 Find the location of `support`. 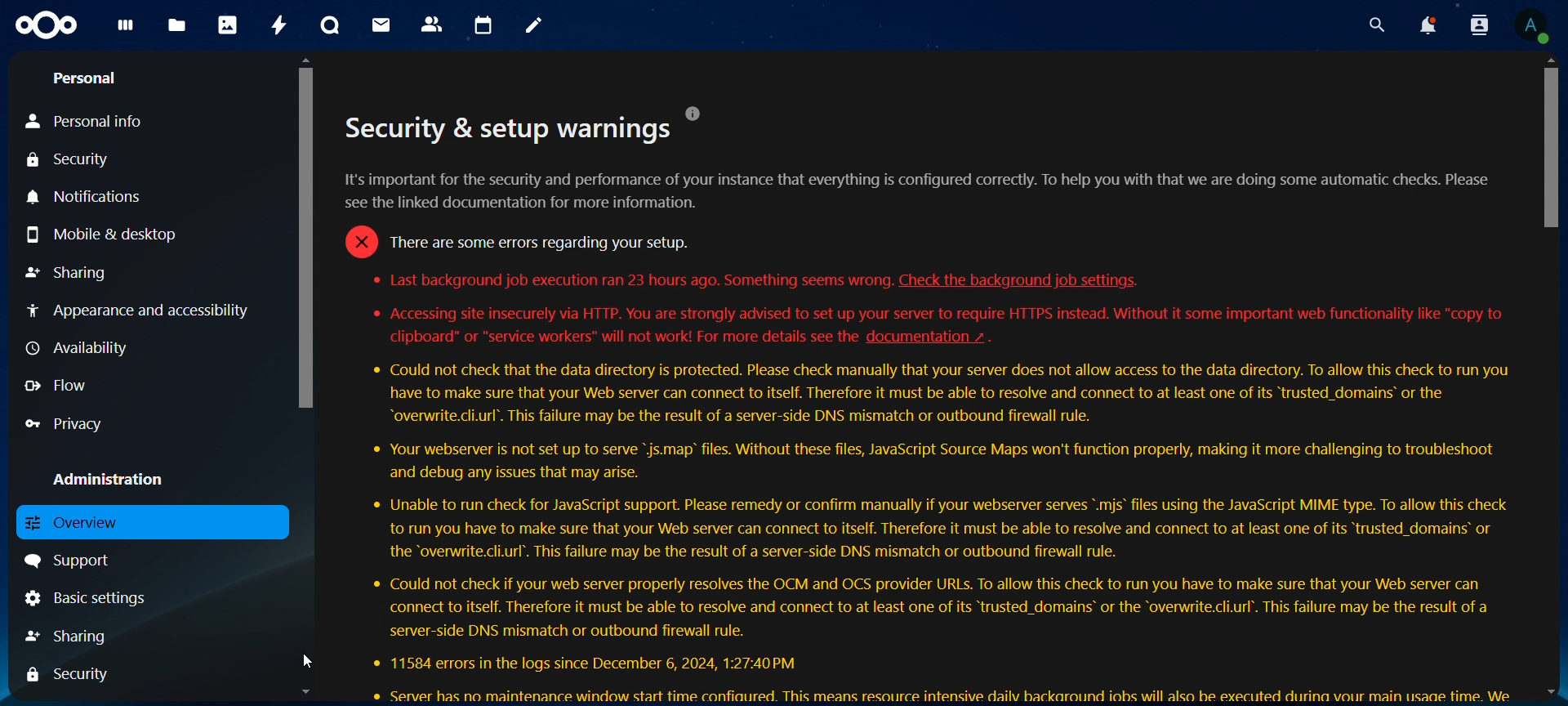

support is located at coordinates (69, 561).